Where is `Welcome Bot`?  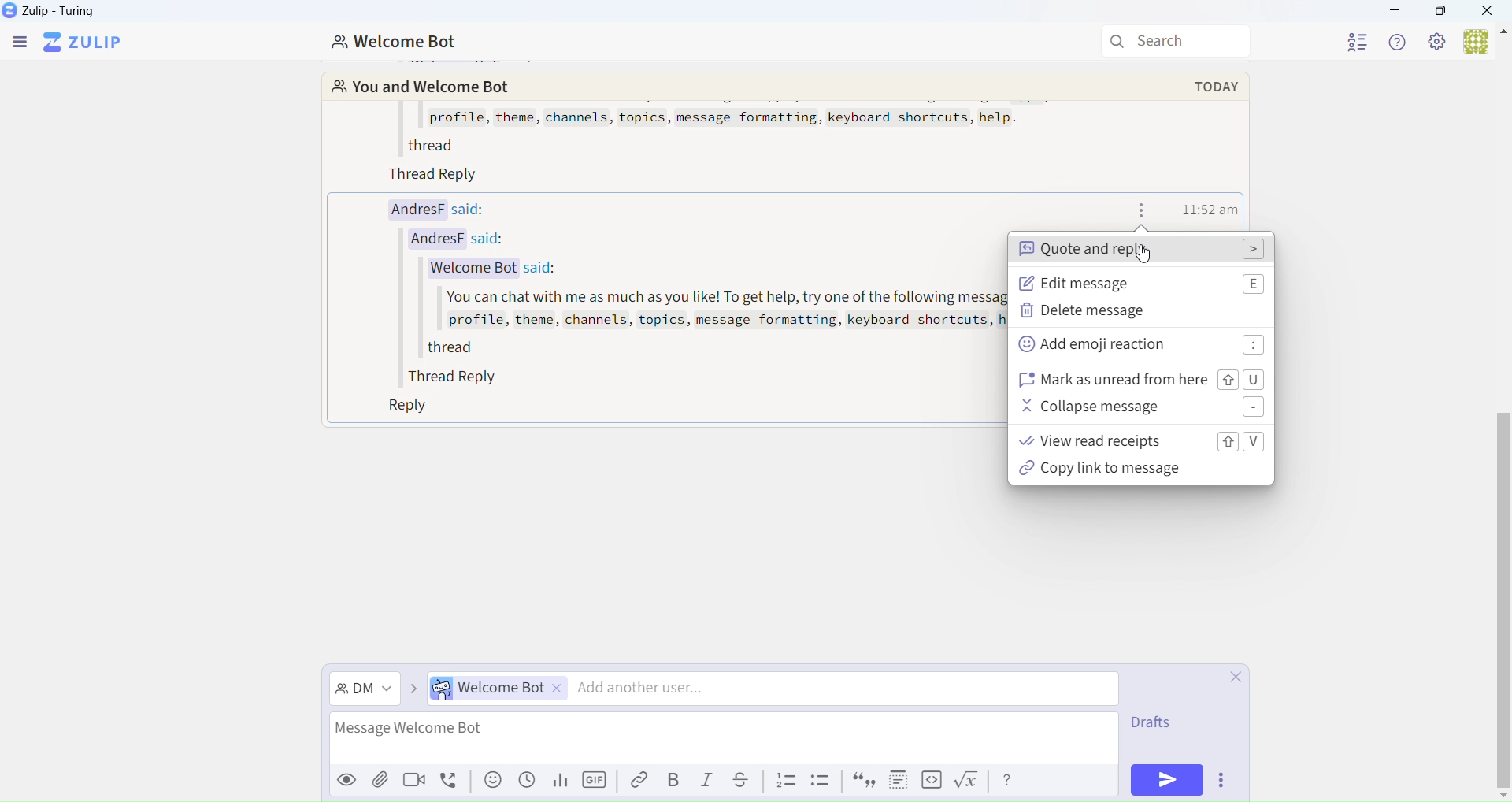 Welcome Bot is located at coordinates (398, 44).